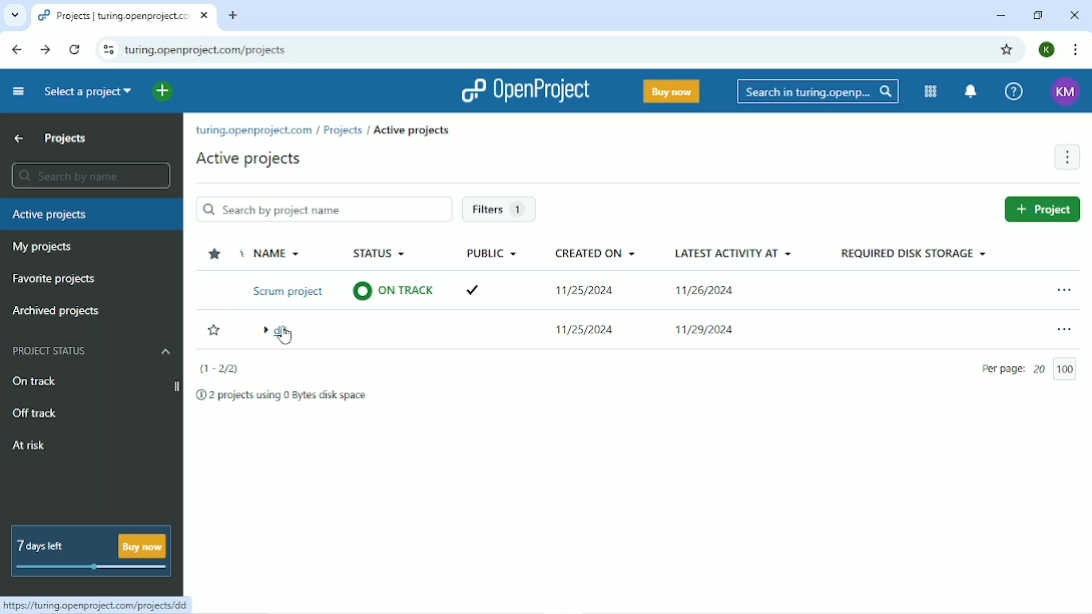 This screenshot has height=614, width=1092. I want to click on Customize and control google chrome, so click(1074, 50).